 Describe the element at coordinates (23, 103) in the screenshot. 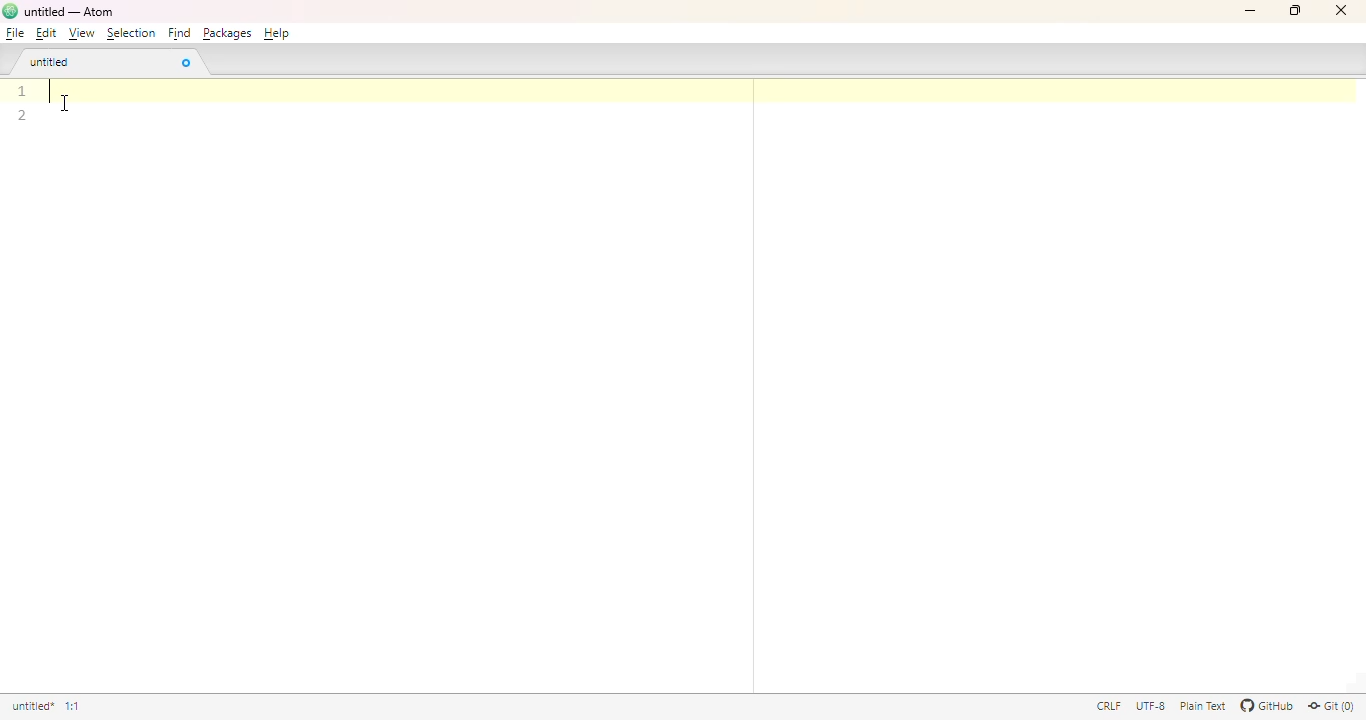

I see `line numbers` at that location.